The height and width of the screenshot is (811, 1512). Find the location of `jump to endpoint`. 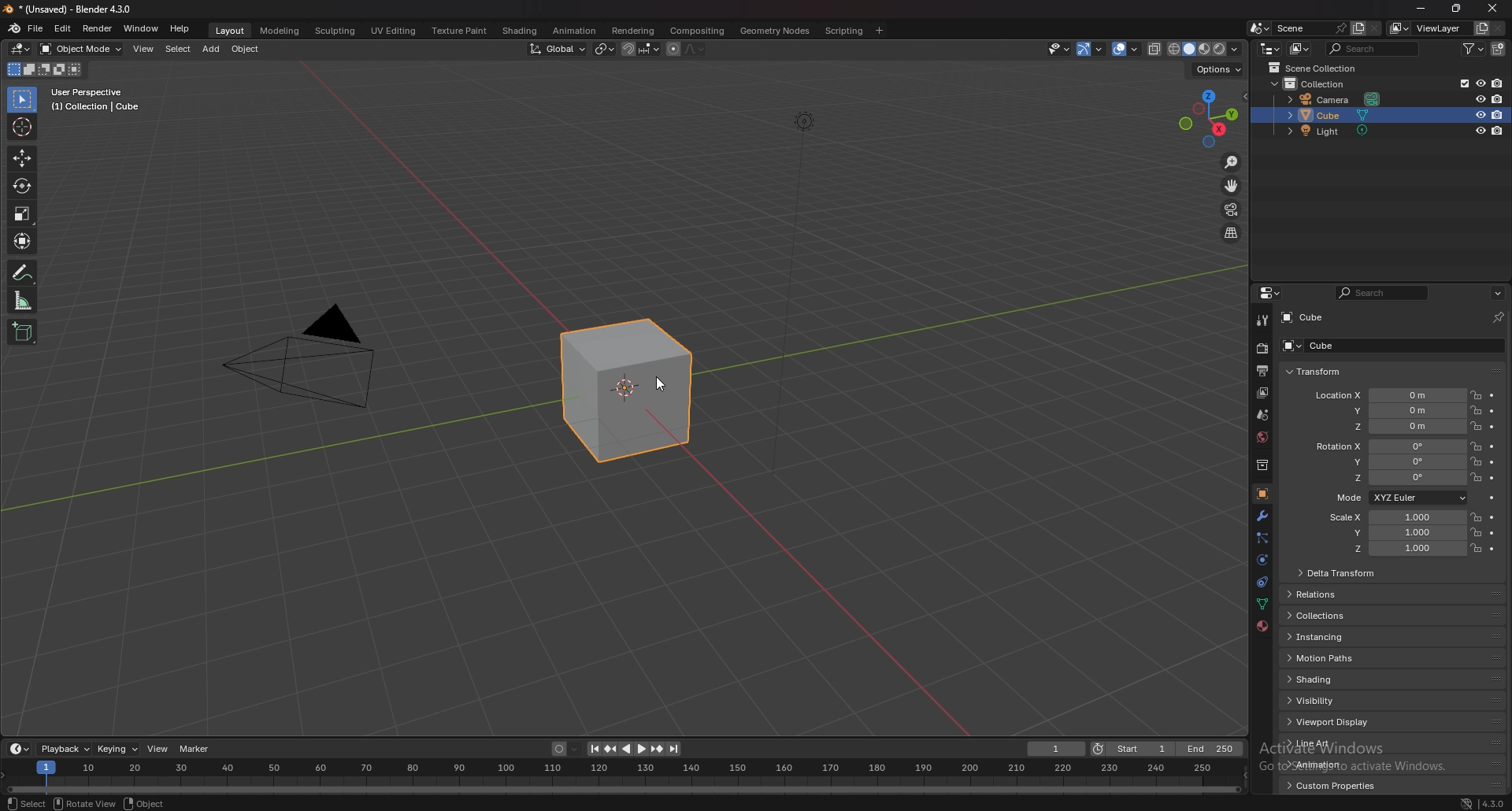

jump to endpoint is located at coordinates (674, 748).